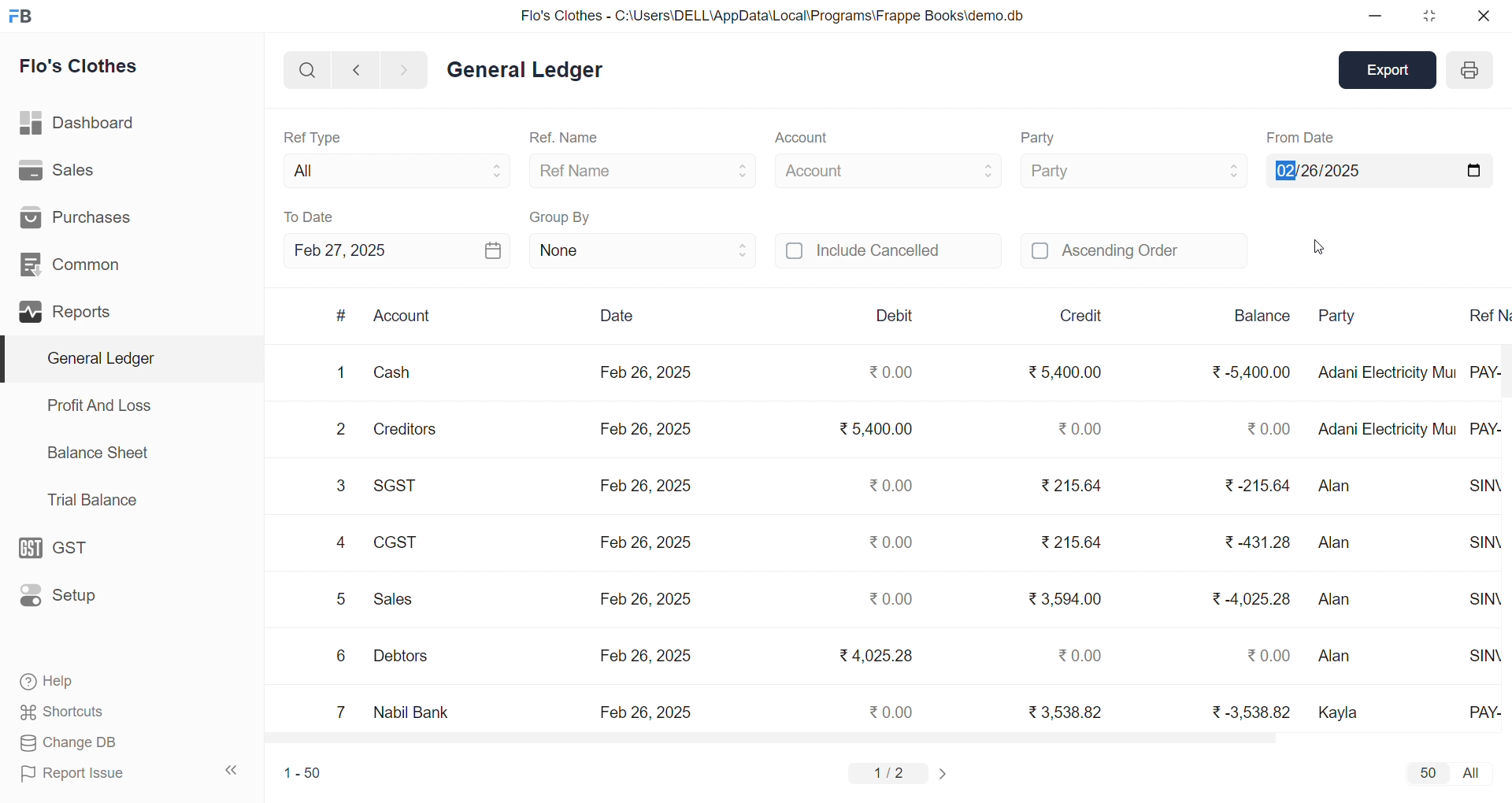 This screenshot has height=803, width=1512. I want to click on Ref N.., so click(1485, 314).